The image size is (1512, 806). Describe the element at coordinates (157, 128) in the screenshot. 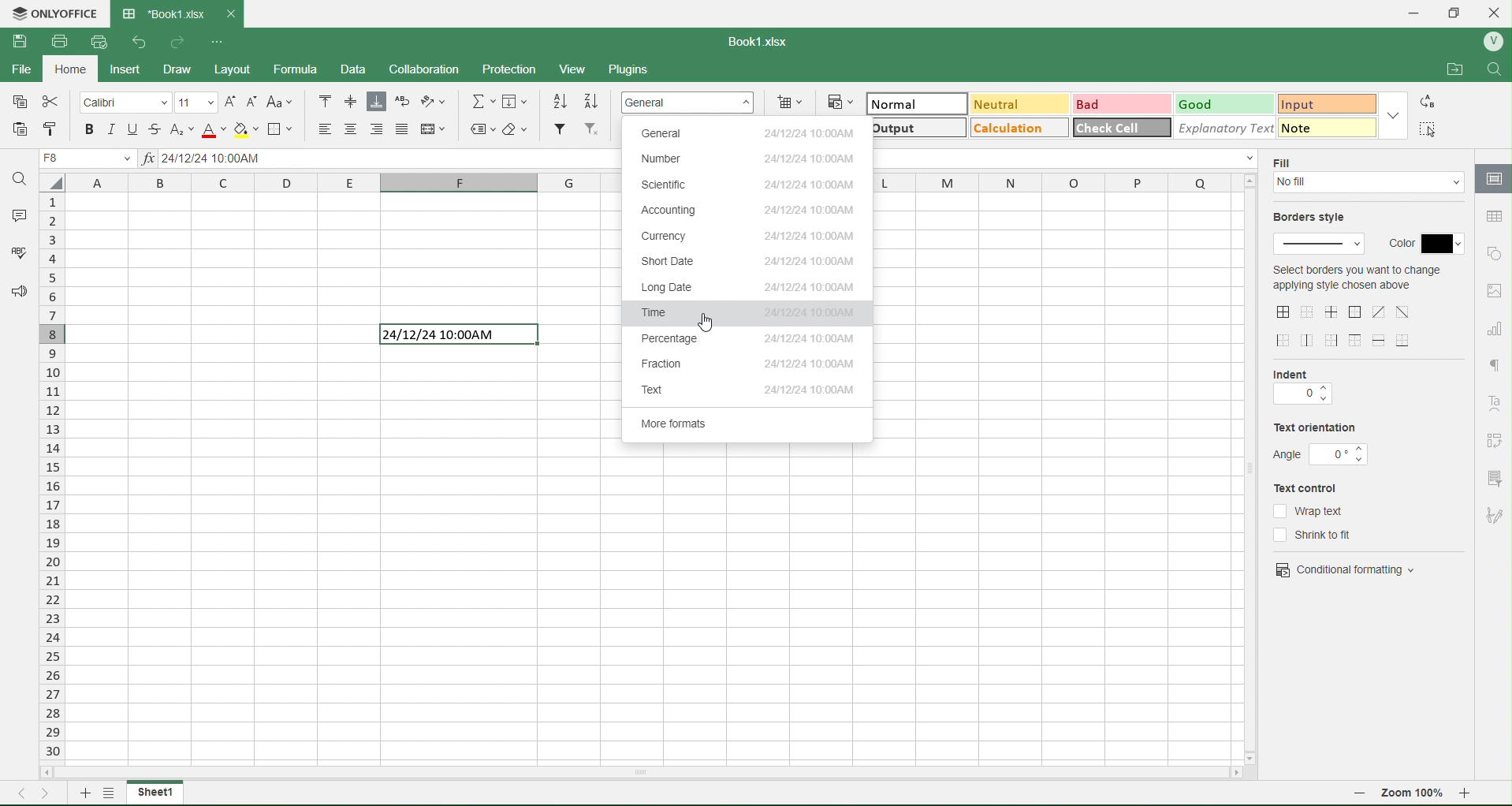

I see `Strikethrough` at that location.